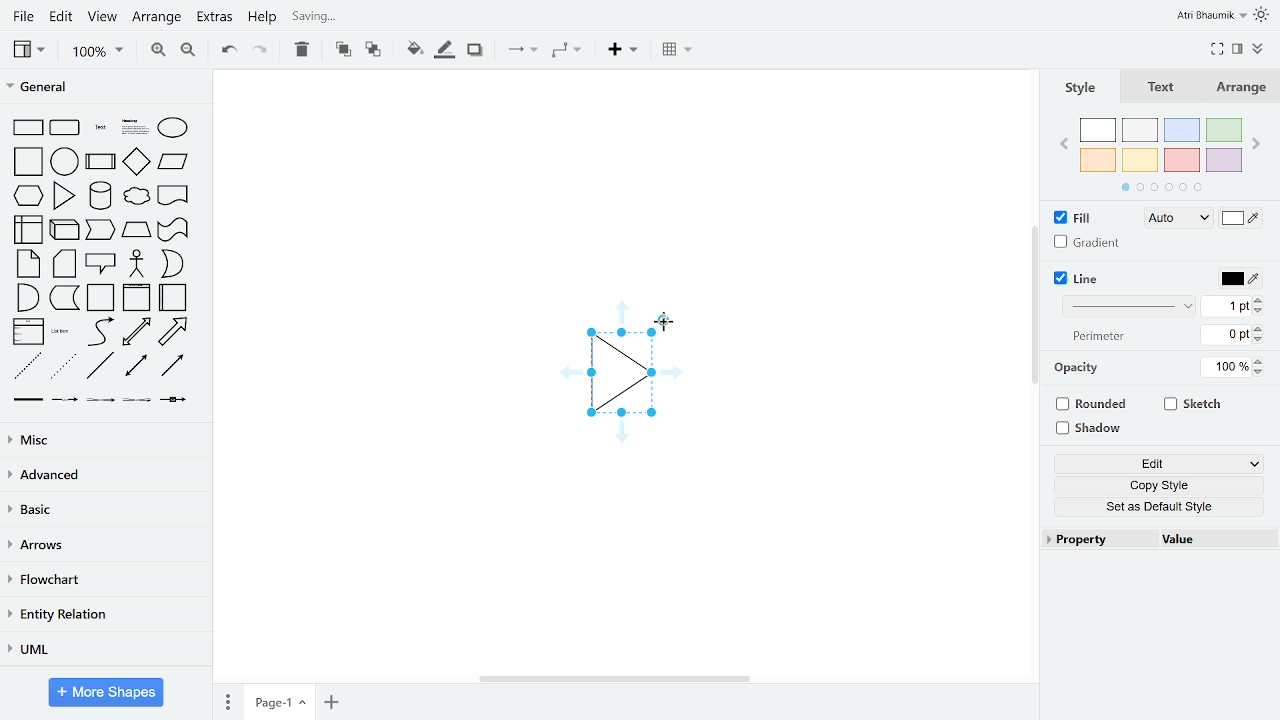 The image size is (1280, 720). What do you see at coordinates (24, 264) in the screenshot?
I see `note` at bounding box center [24, 264].